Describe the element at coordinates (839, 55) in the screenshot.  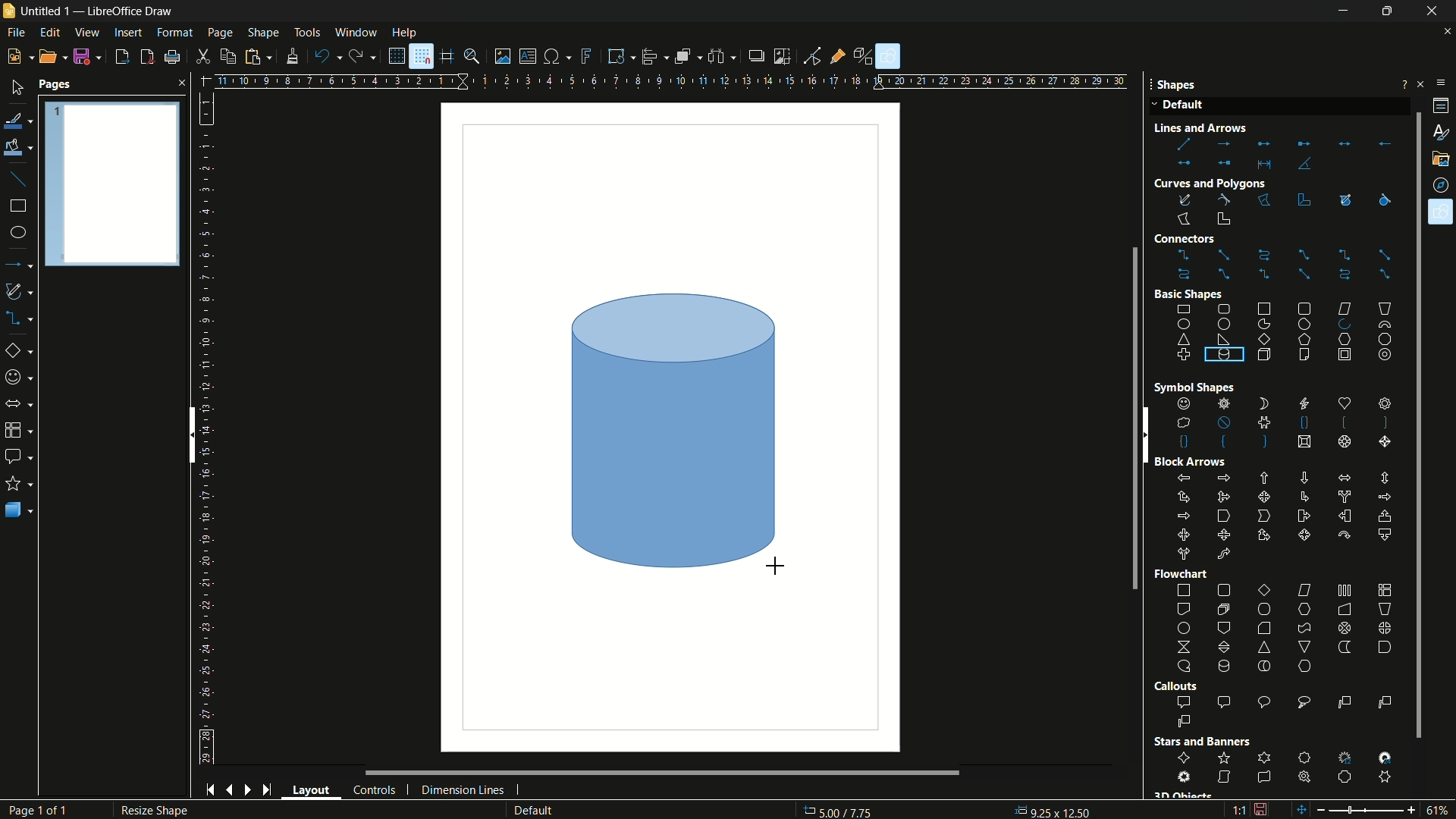
I see `show gluepoint functions` at that location.